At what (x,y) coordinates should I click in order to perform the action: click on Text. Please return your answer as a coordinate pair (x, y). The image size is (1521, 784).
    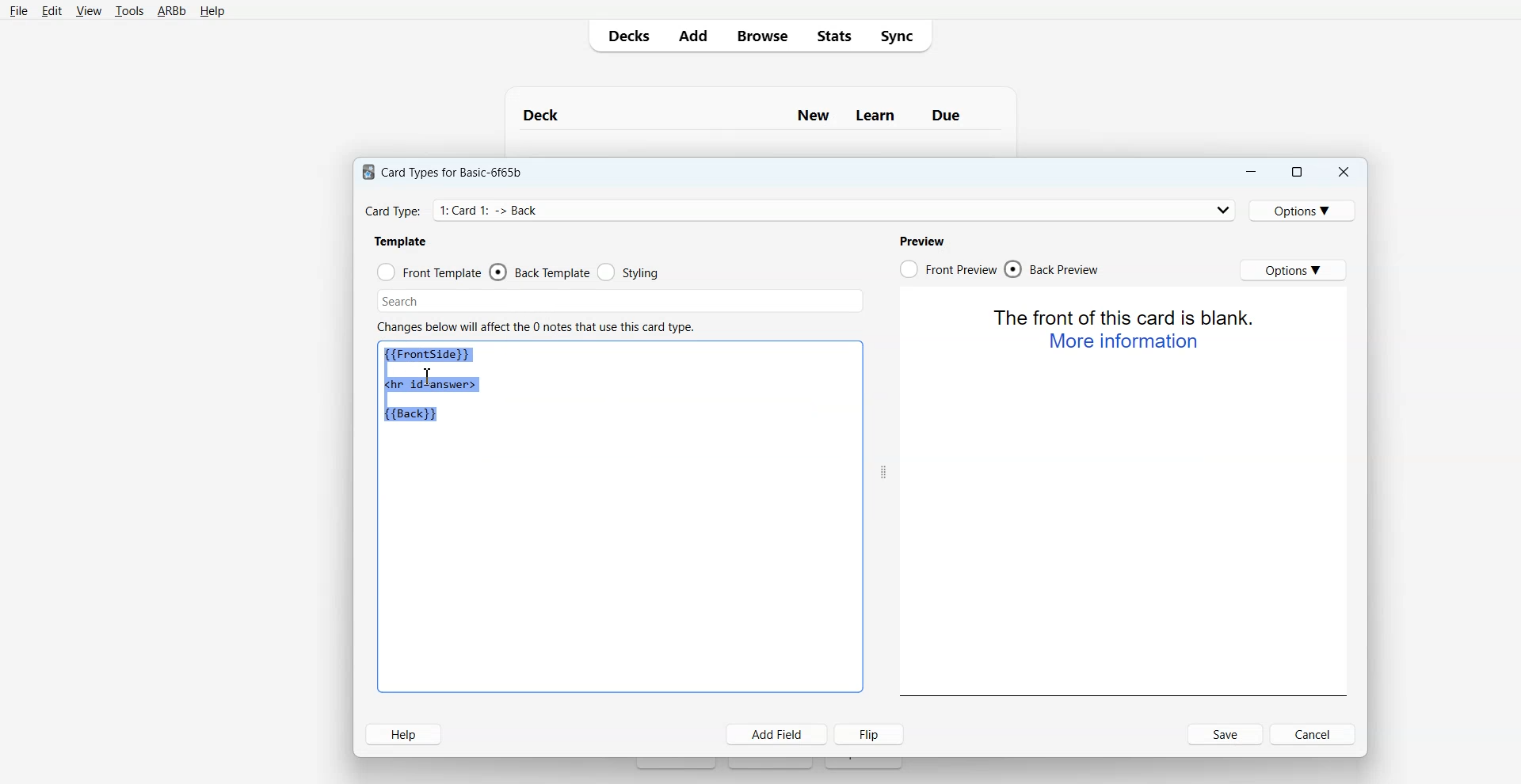
    Looking at the image, I should click on (760, 108).